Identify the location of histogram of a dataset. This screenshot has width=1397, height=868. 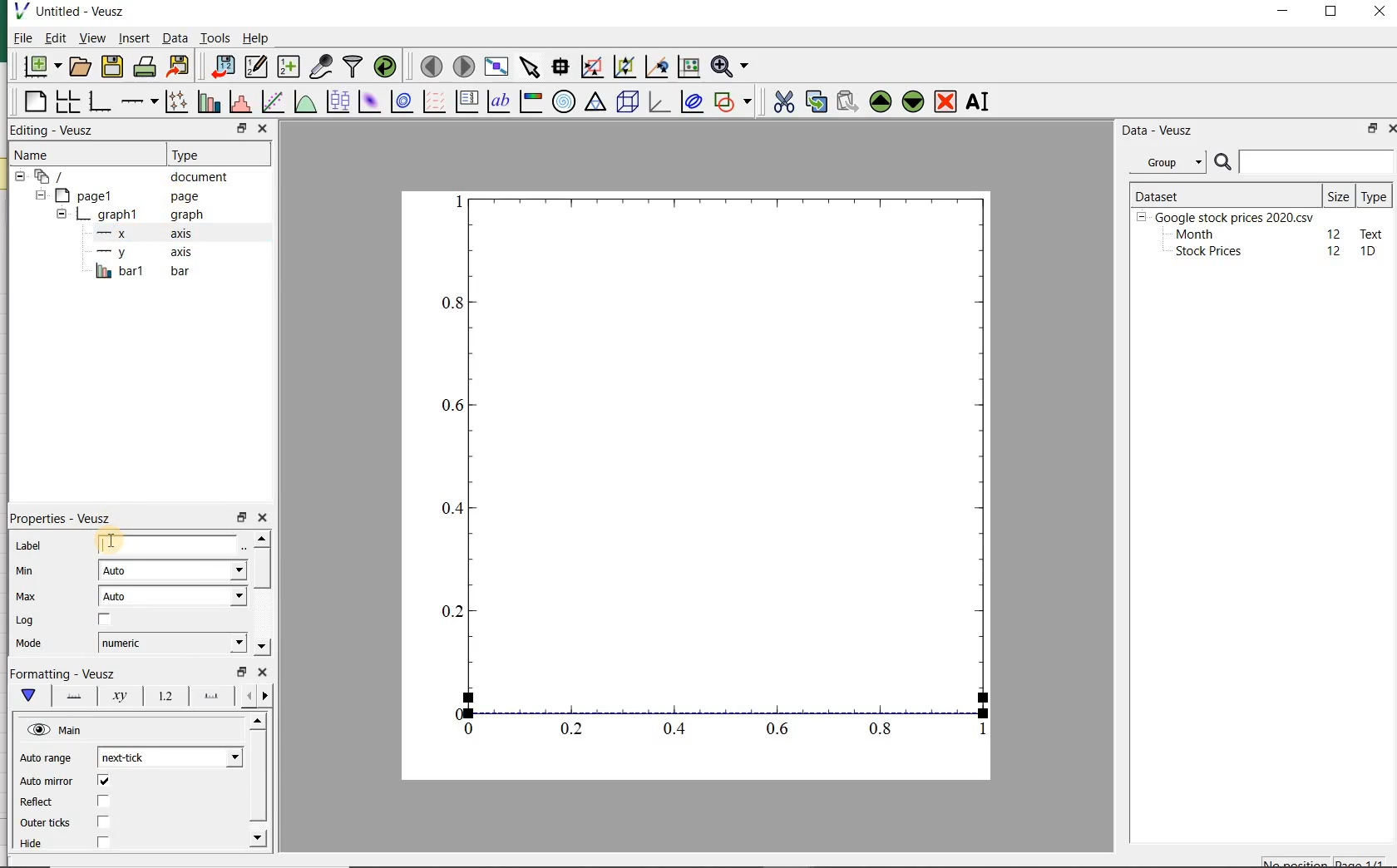
(239, 104).